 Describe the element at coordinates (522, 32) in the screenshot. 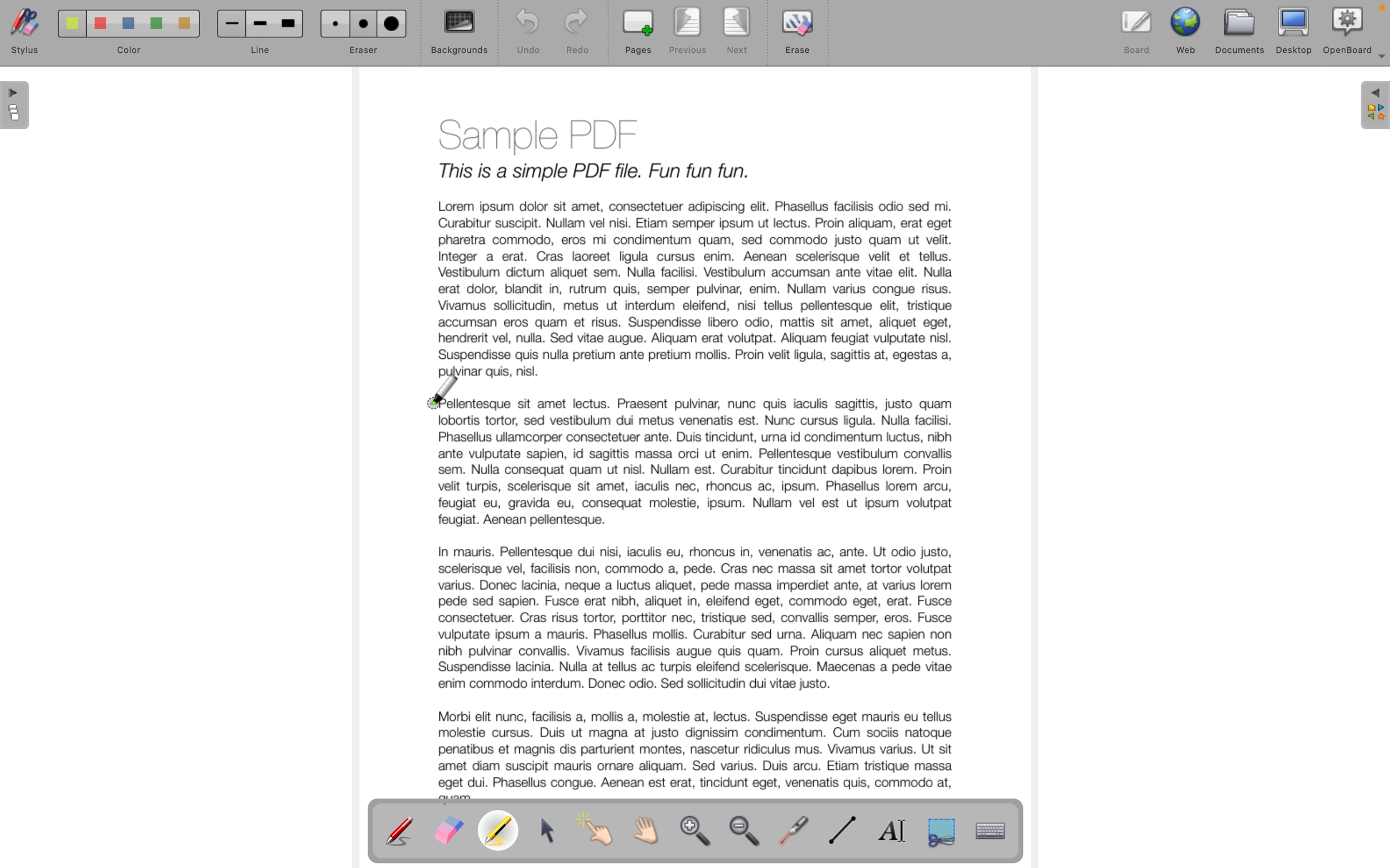

I see `undo` at that location.